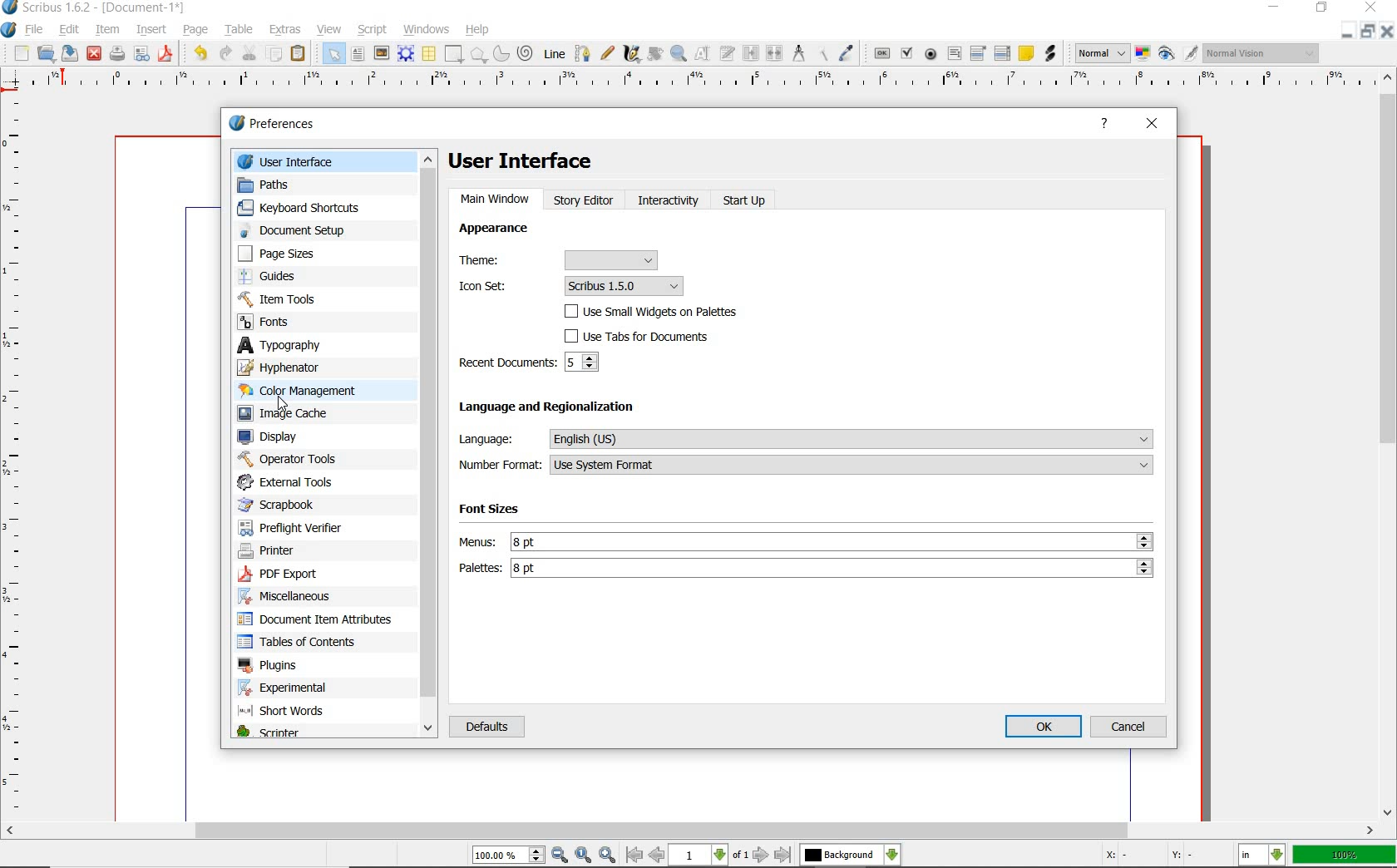  What do you see at coordinates (1153, 125) in the screenshot?
I see `CLOSE` at bounding box center [1153, 125].